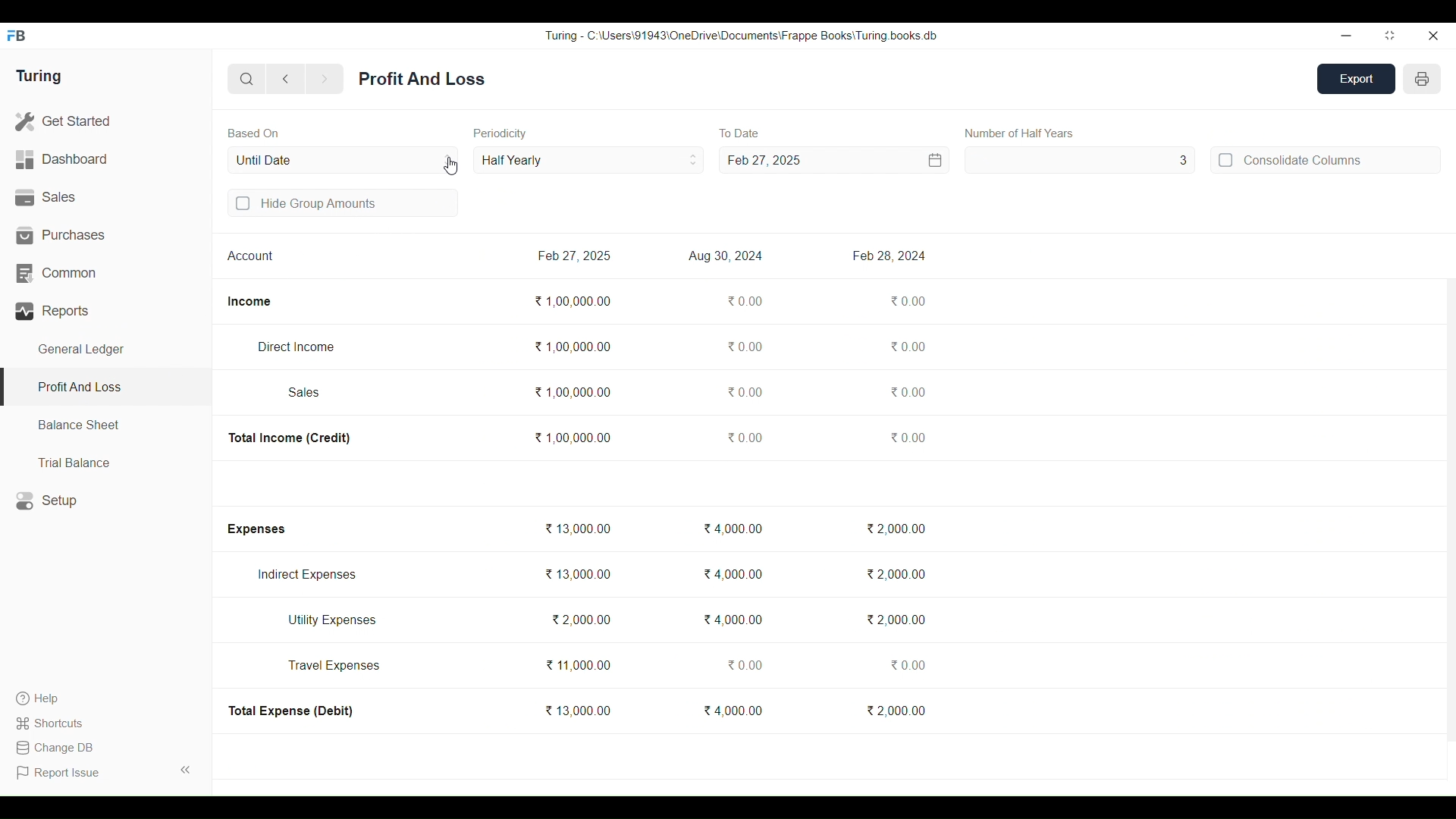 Image resolution: width=1456 pixels, height=819 pixels. Describe the element at coordinates (726, 256) in the screenshot. I see `Aug 30, 2024` at that location.